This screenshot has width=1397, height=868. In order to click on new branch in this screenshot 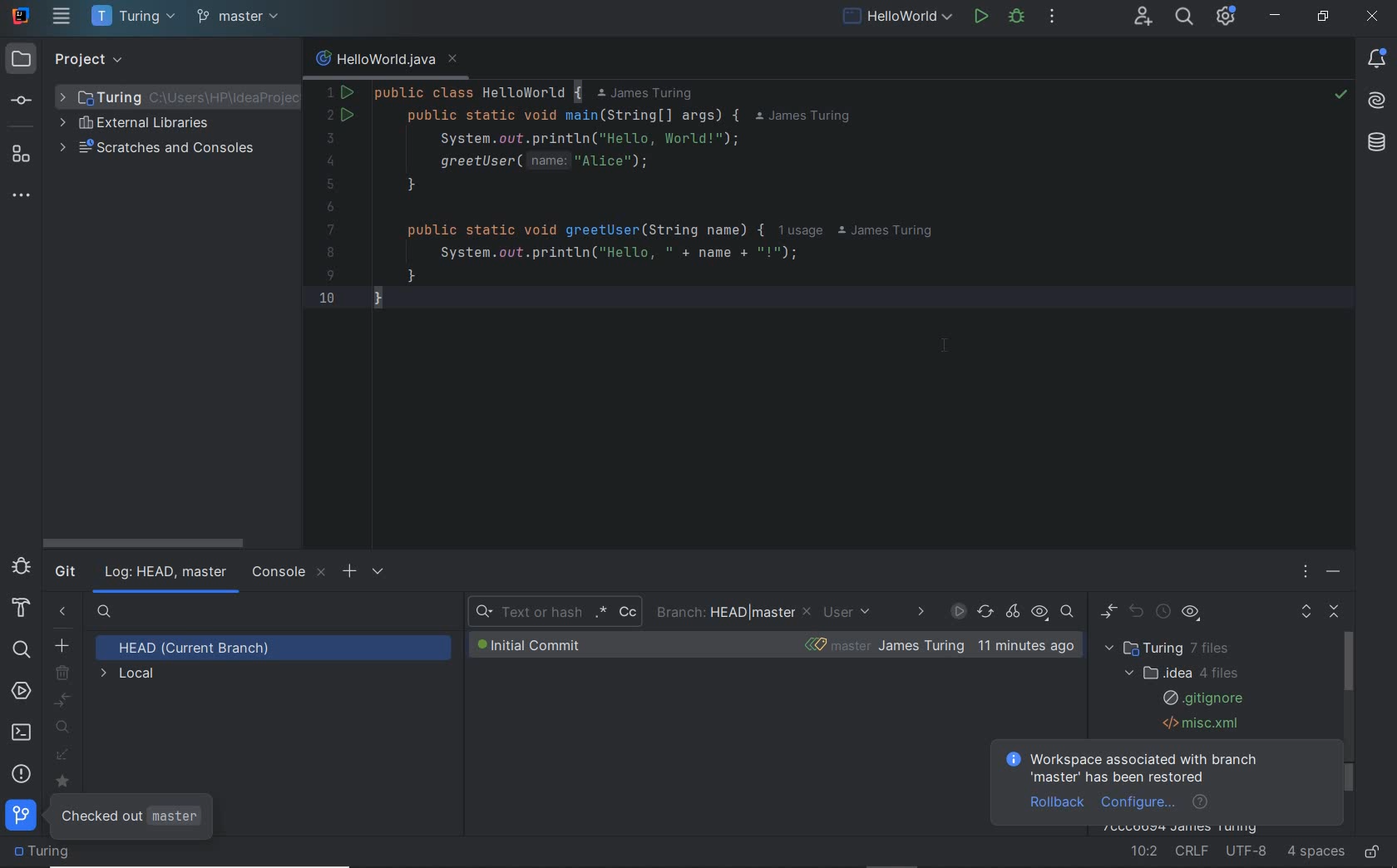, I will do `click(62, 644)`.